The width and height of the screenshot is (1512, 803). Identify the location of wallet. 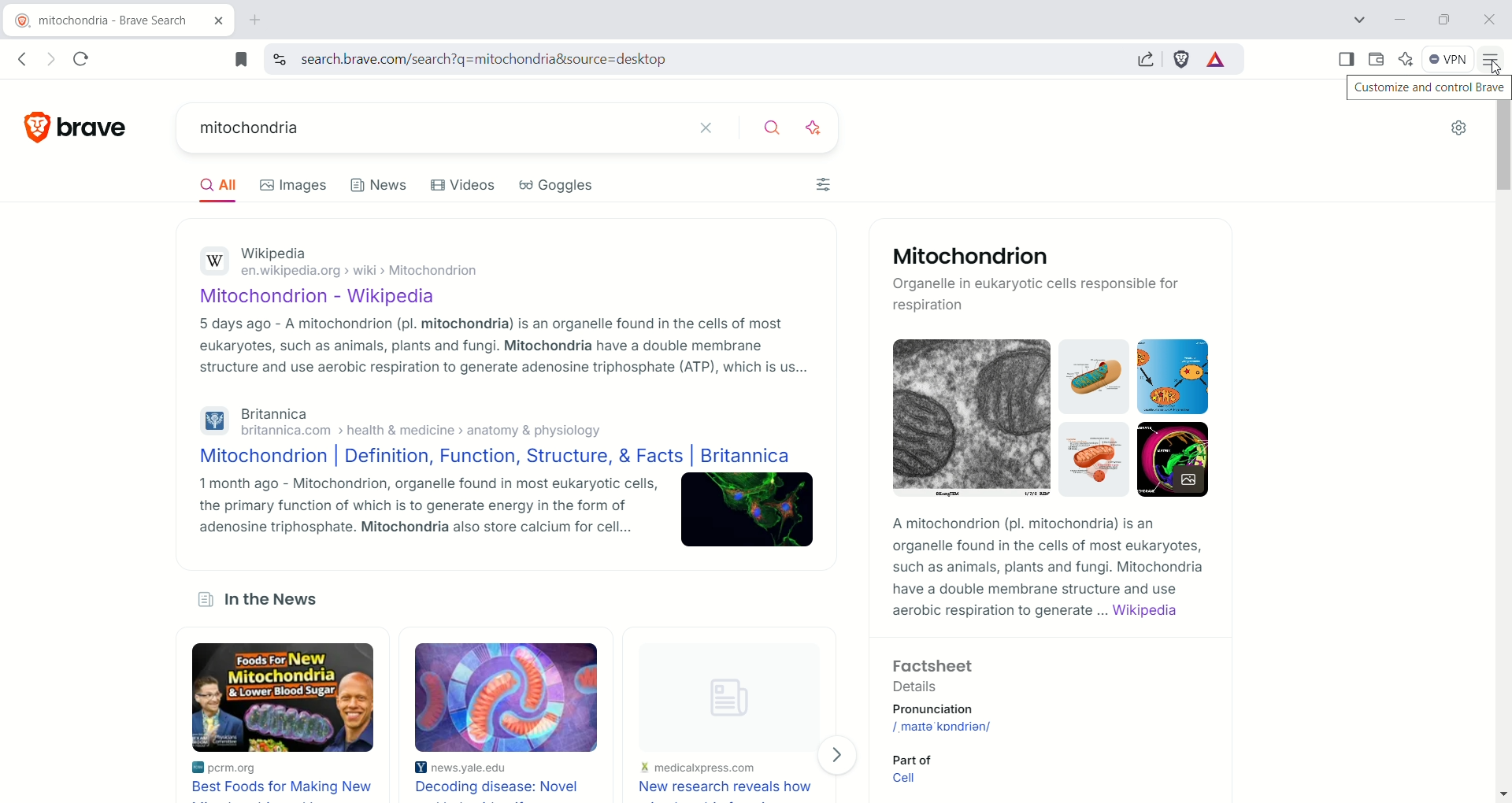
(1376, 59).